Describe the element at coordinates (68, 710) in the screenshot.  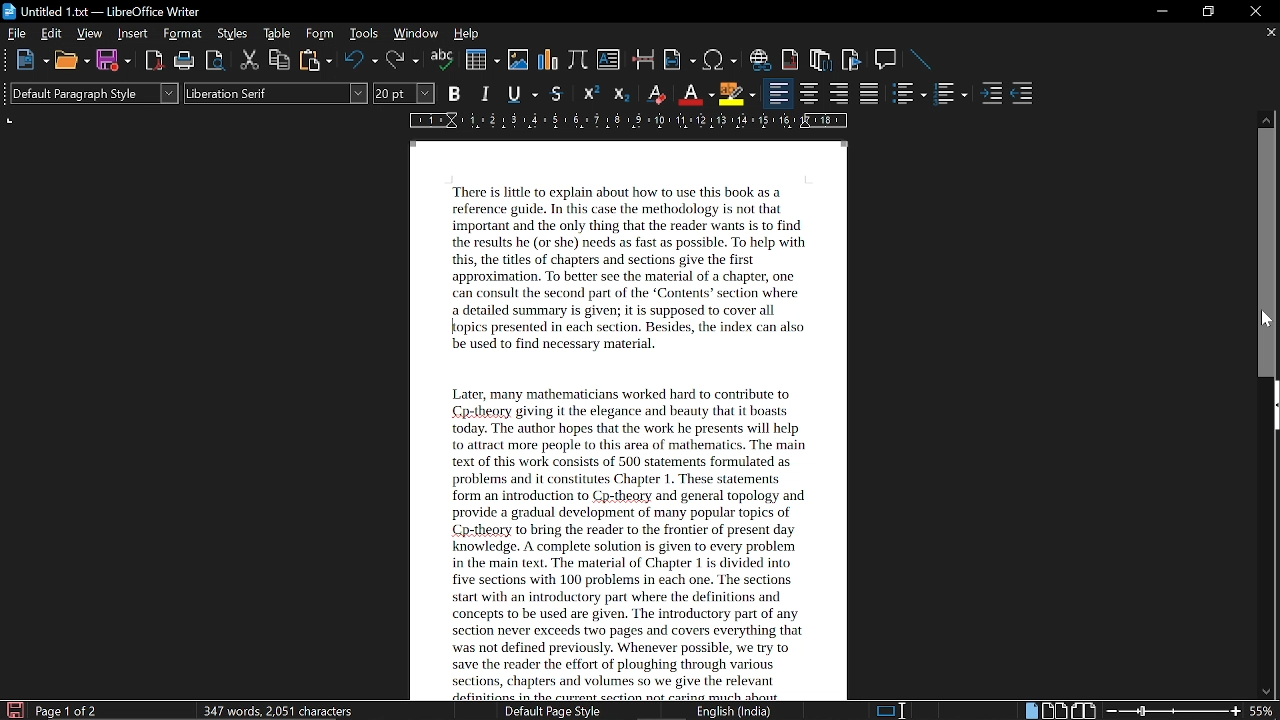
I see `current page` at that location.